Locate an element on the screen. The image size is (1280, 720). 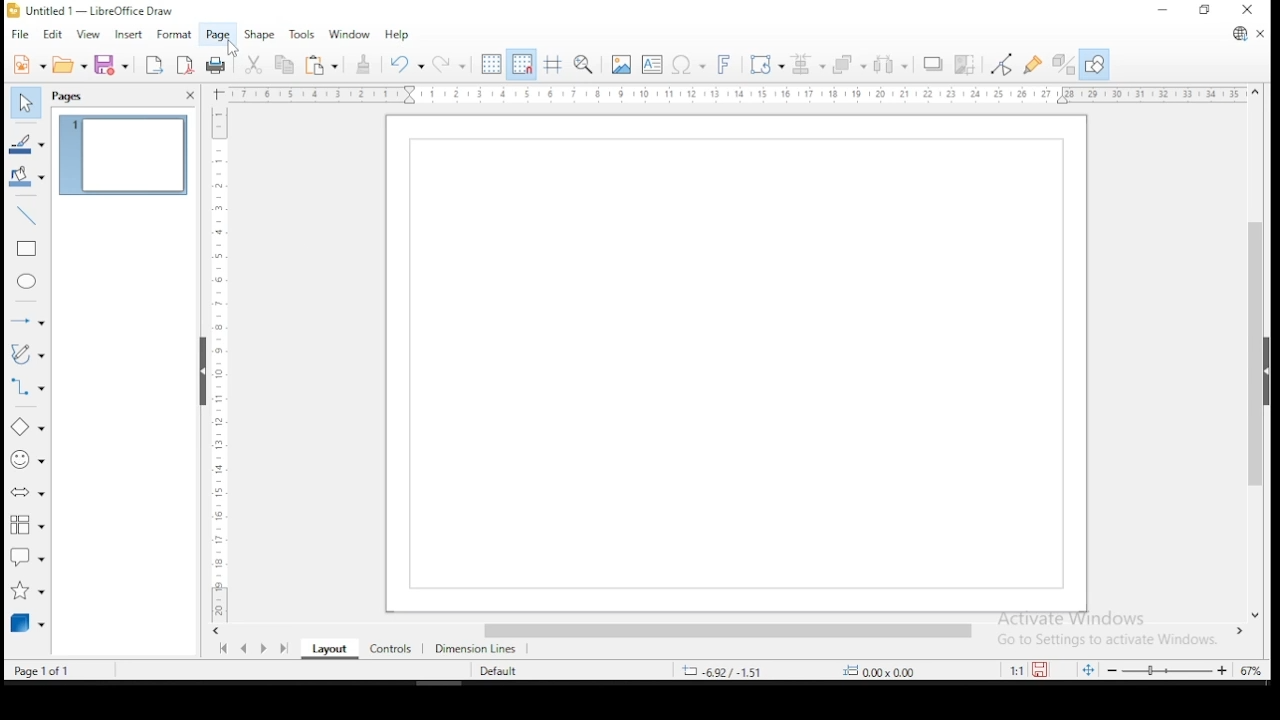
scale is located at coordinates (732, 95).